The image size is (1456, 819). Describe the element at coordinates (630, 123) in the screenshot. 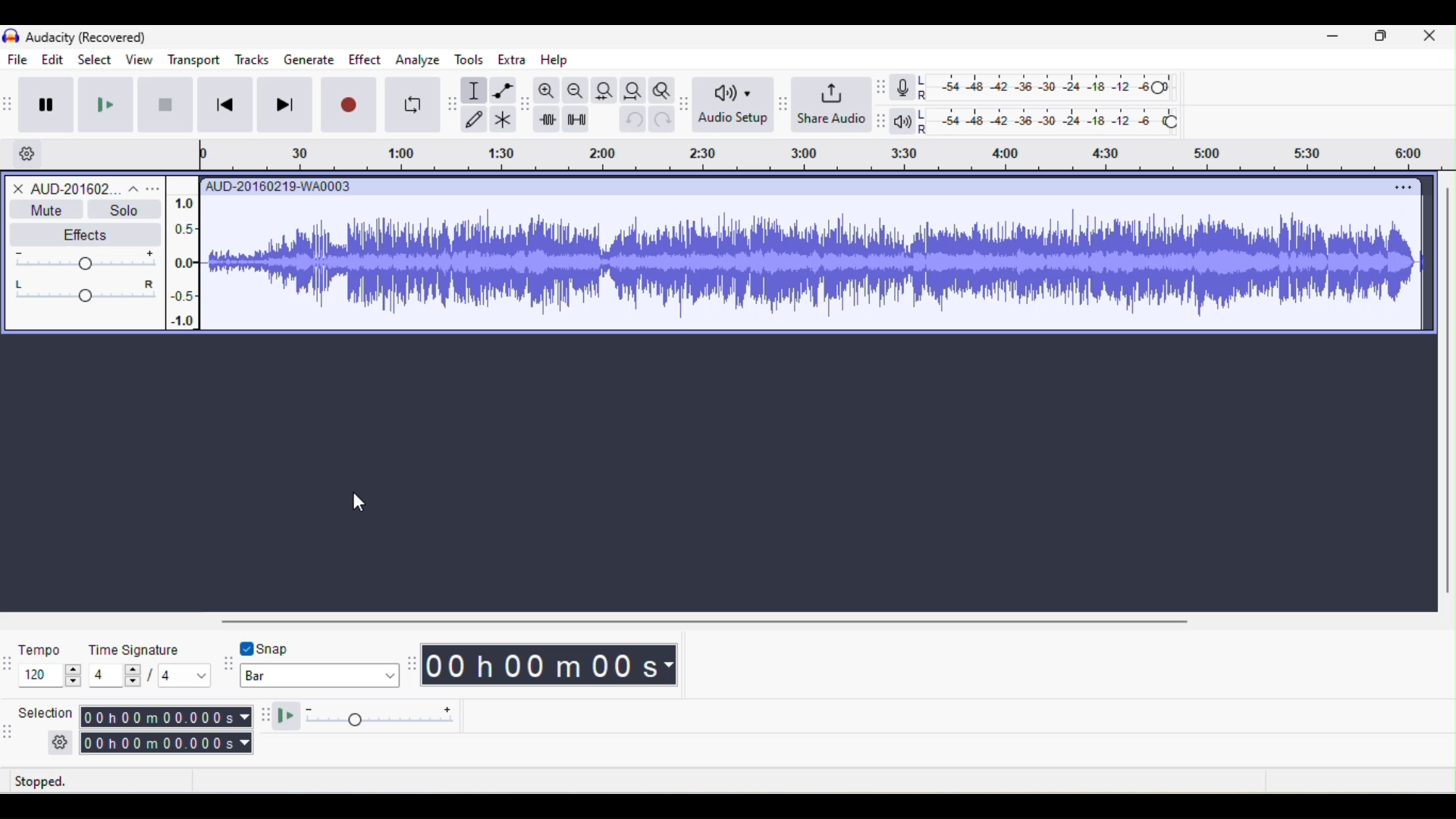

I see `undo` at that location.